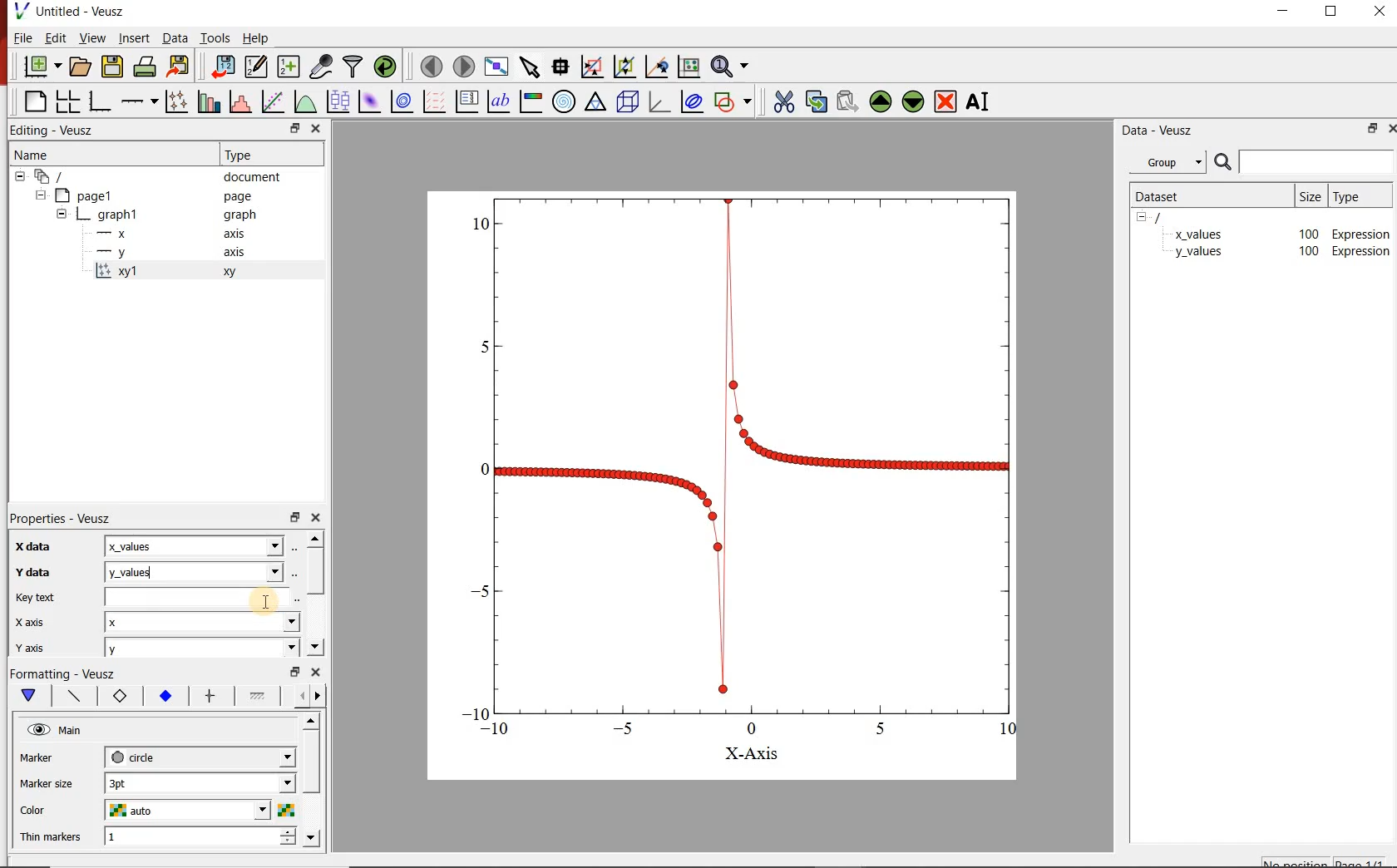  What do you see at coordinates (234, 253) in the screenshot?
I see `axis` at bounding box center [234, 253].